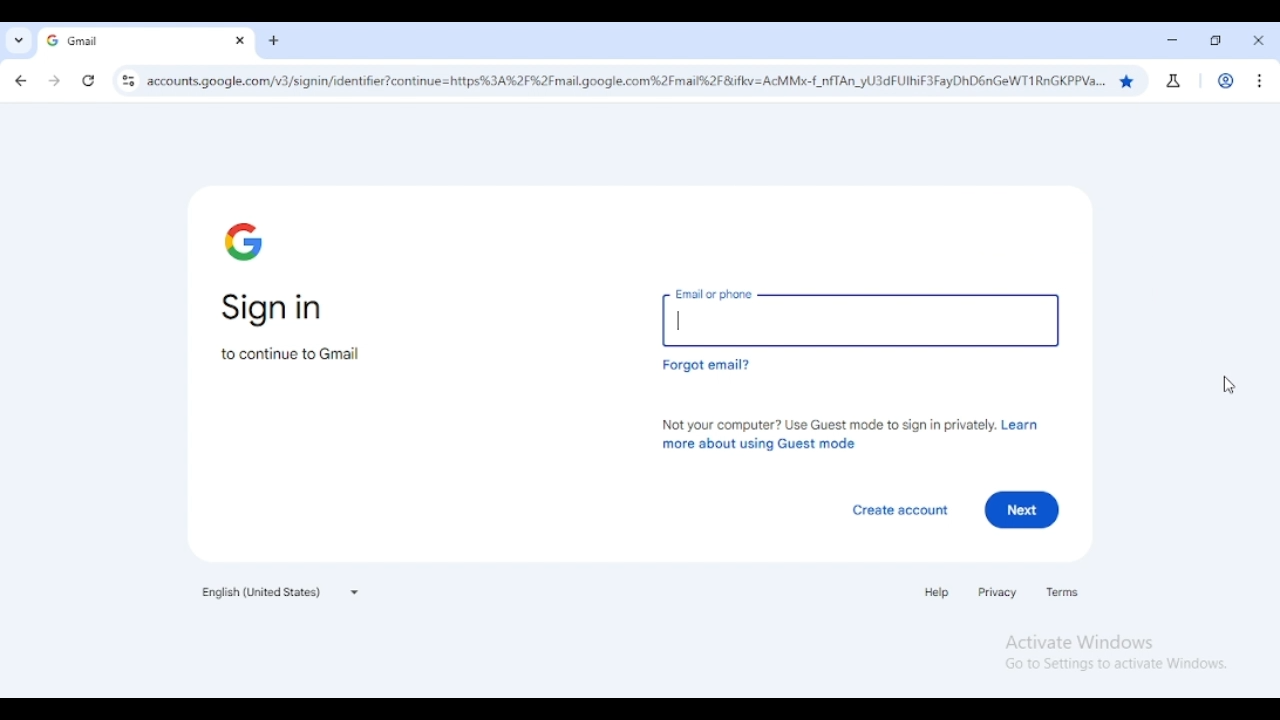  Describe the element at coordinates (294, 328) in the screenshot. I see `sign in to continue to Gmail` at that location.